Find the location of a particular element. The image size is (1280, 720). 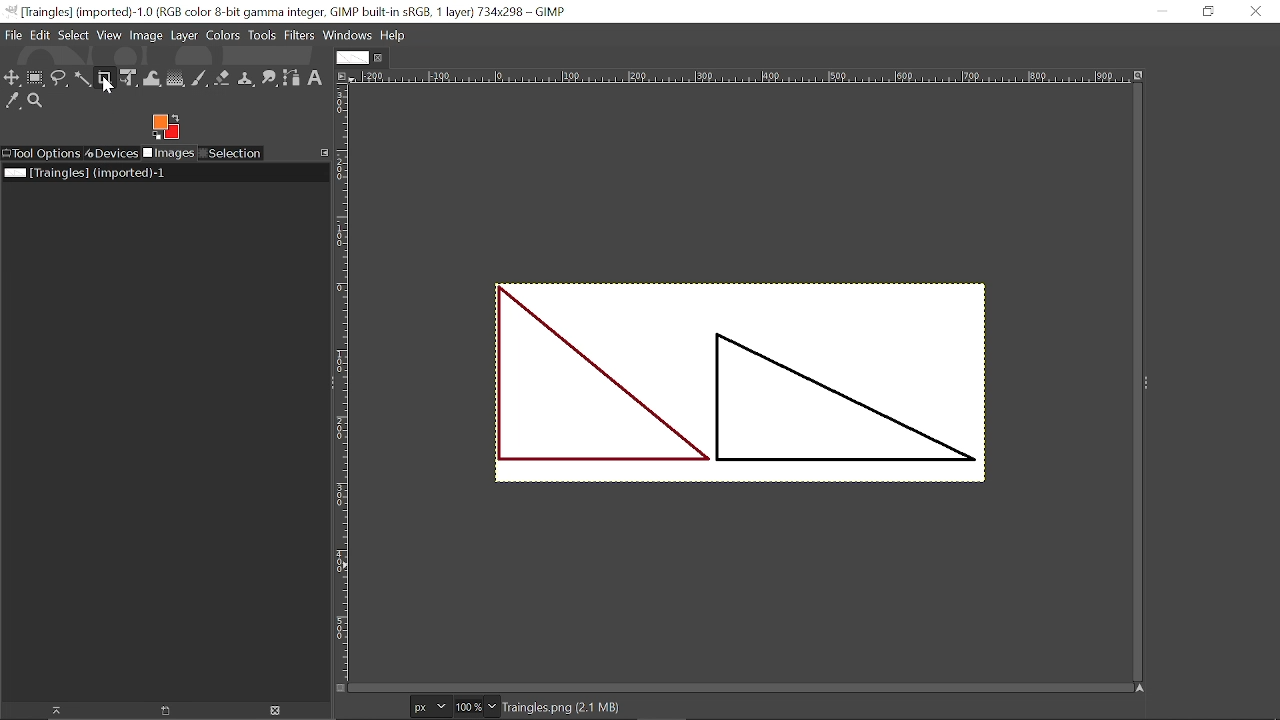

Fuzzy select tool is located at coordinates (83, 80).